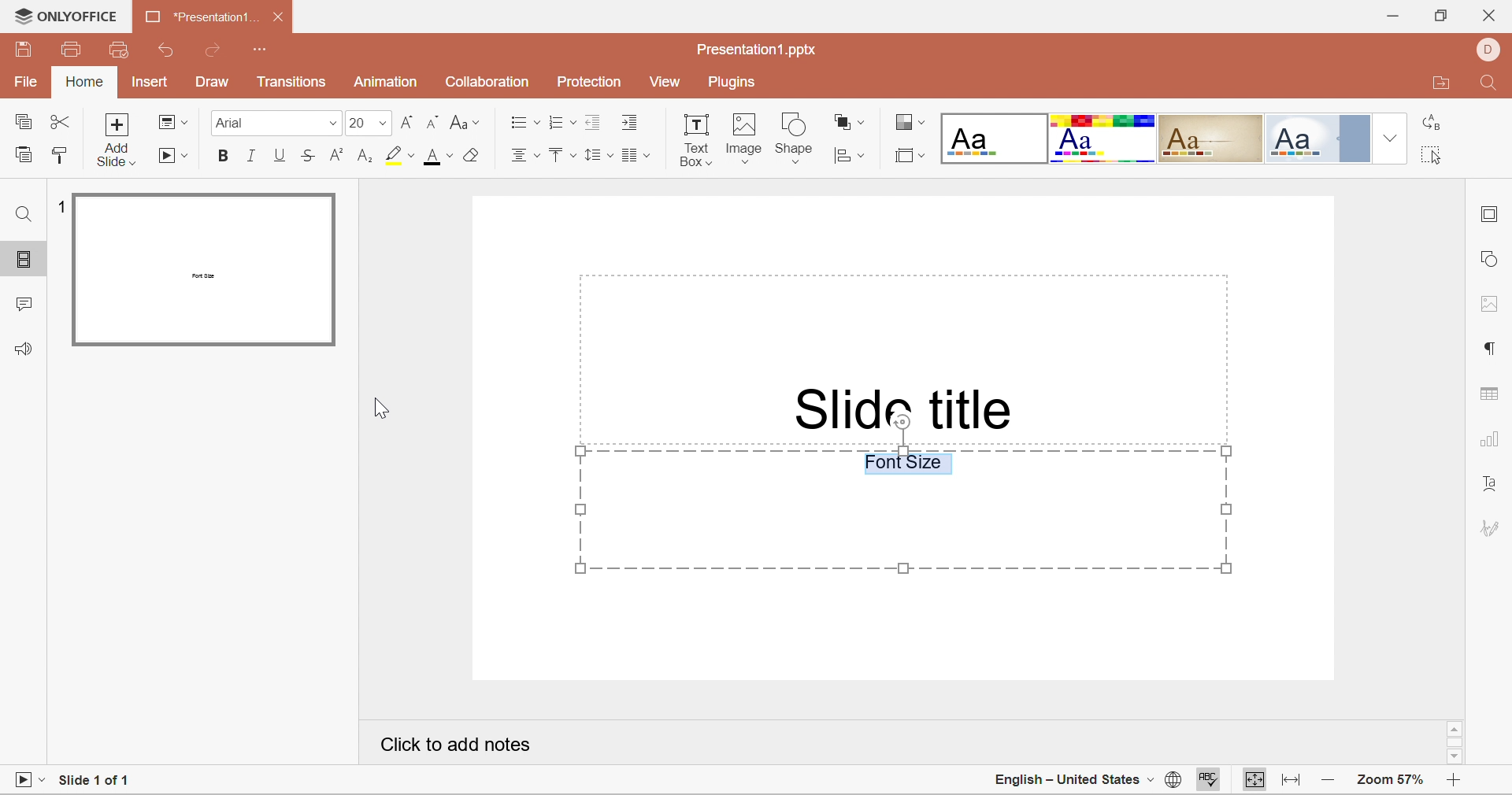 The width and height of the screenshot is (1512, 795). What do you see at coordinates (904, 462) in the screenshot?
I see `Font Size` at bounding box center [904, 462].